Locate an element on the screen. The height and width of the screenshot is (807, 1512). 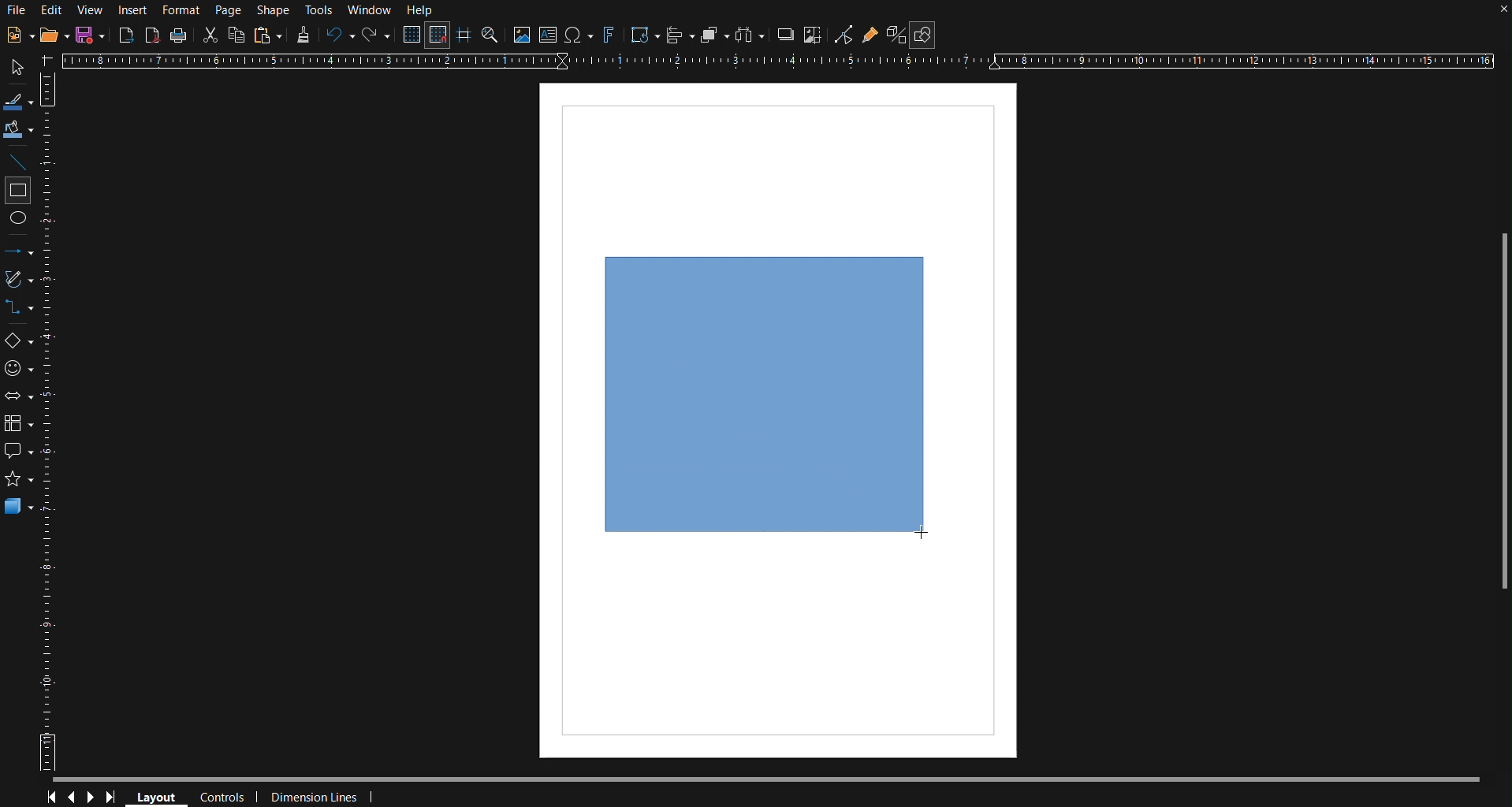
Window is located at coordinates (370, 10).